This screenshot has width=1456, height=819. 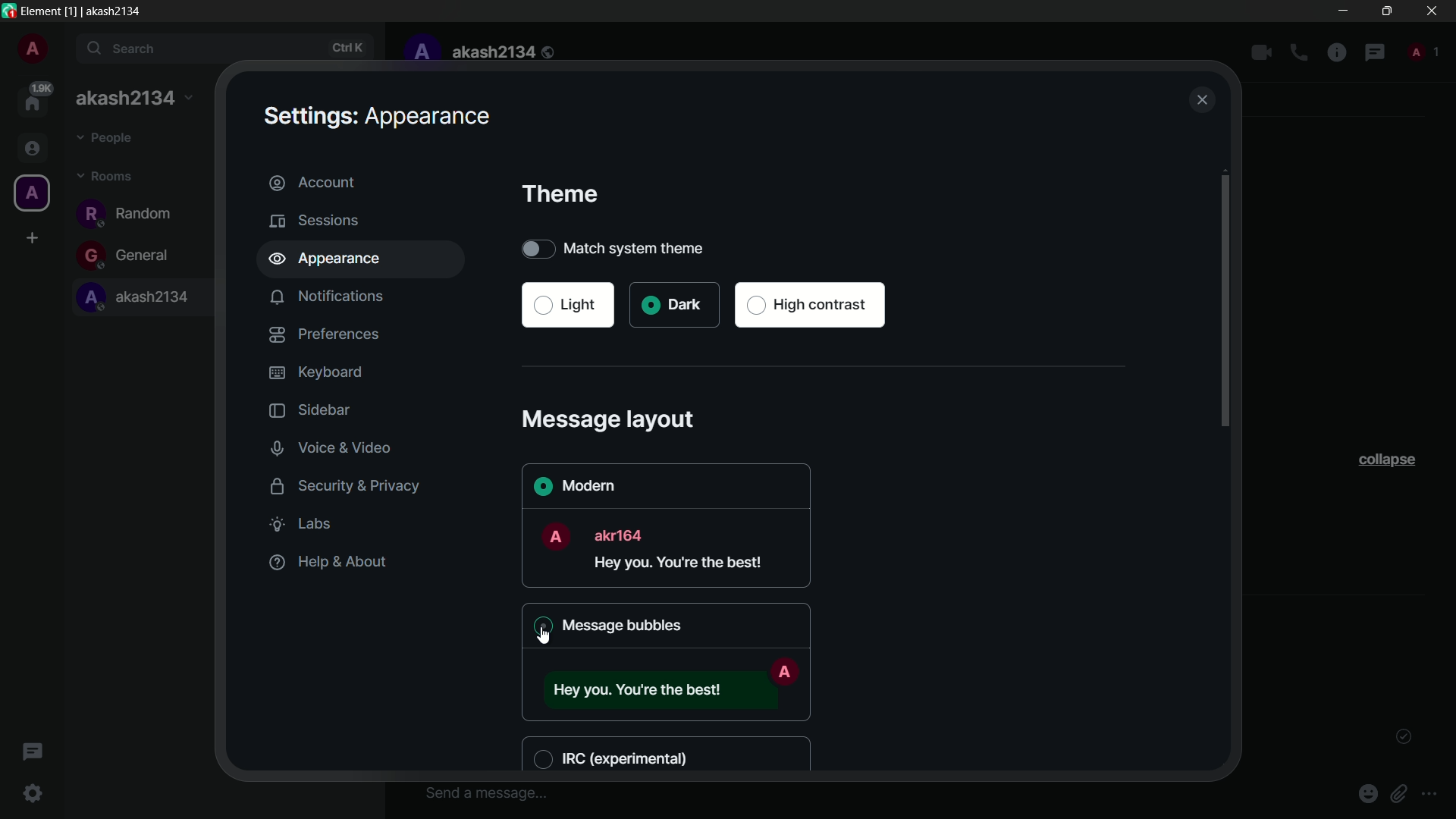 I want to click on profile, so click(x=420, y=52).